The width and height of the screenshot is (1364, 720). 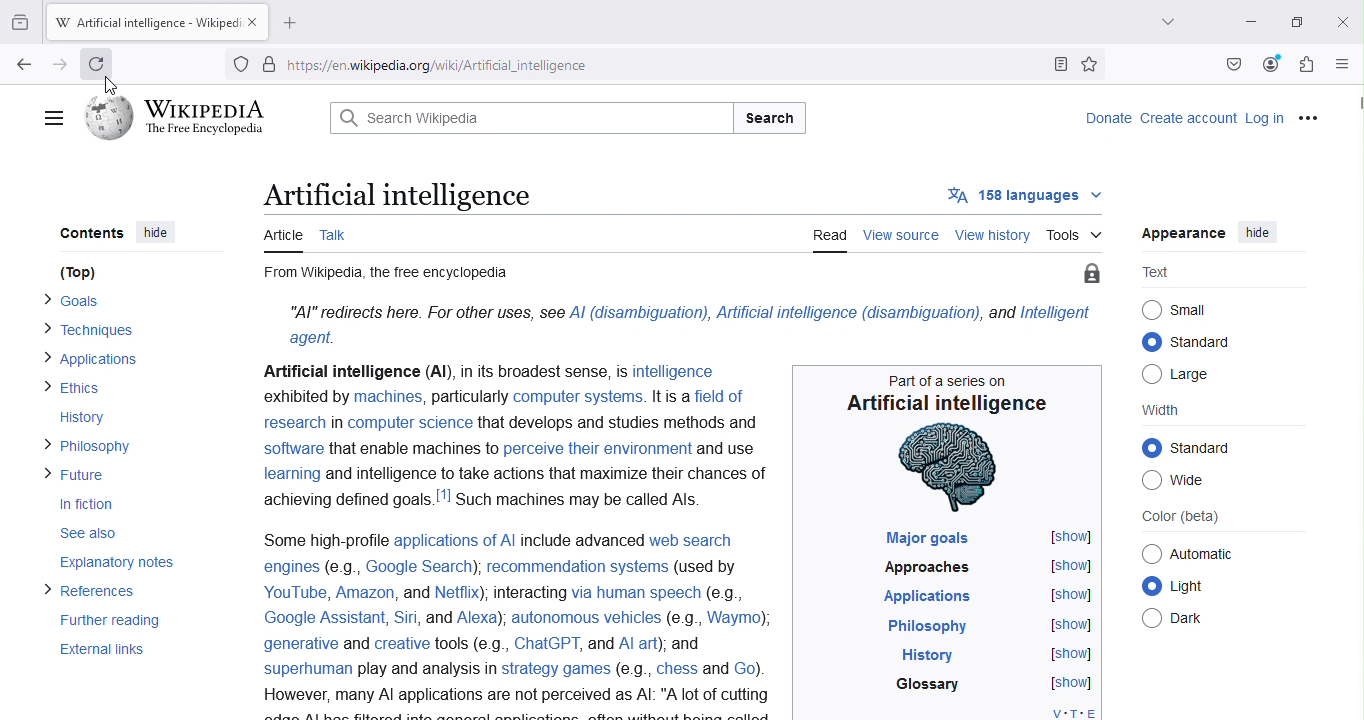 What do you see at coordinates (73, 421) in the screenshot?
I see `History` at bounding box center [73, 421].